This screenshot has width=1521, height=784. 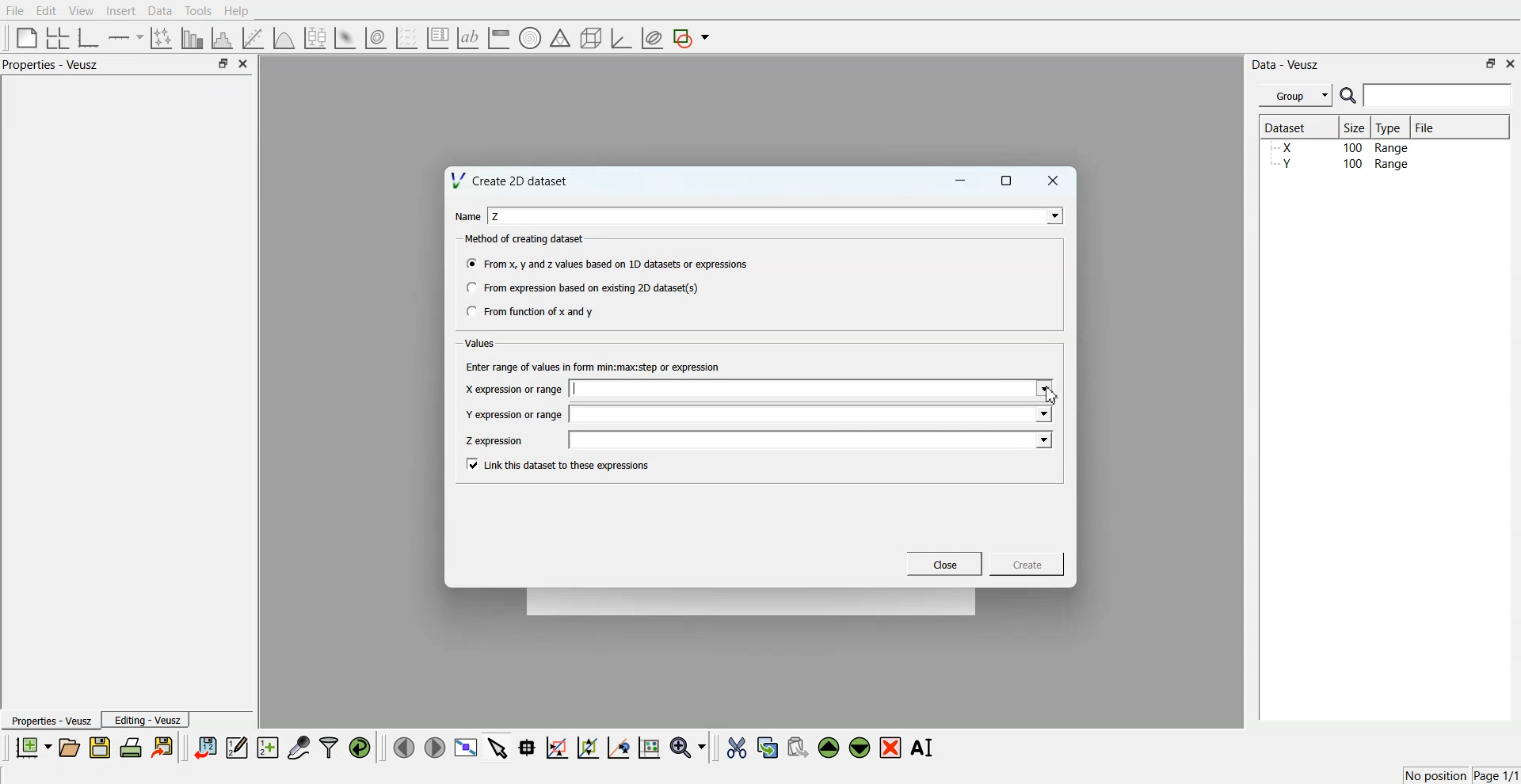 I want to click on 3D Volume, so click(x=375, y=38).